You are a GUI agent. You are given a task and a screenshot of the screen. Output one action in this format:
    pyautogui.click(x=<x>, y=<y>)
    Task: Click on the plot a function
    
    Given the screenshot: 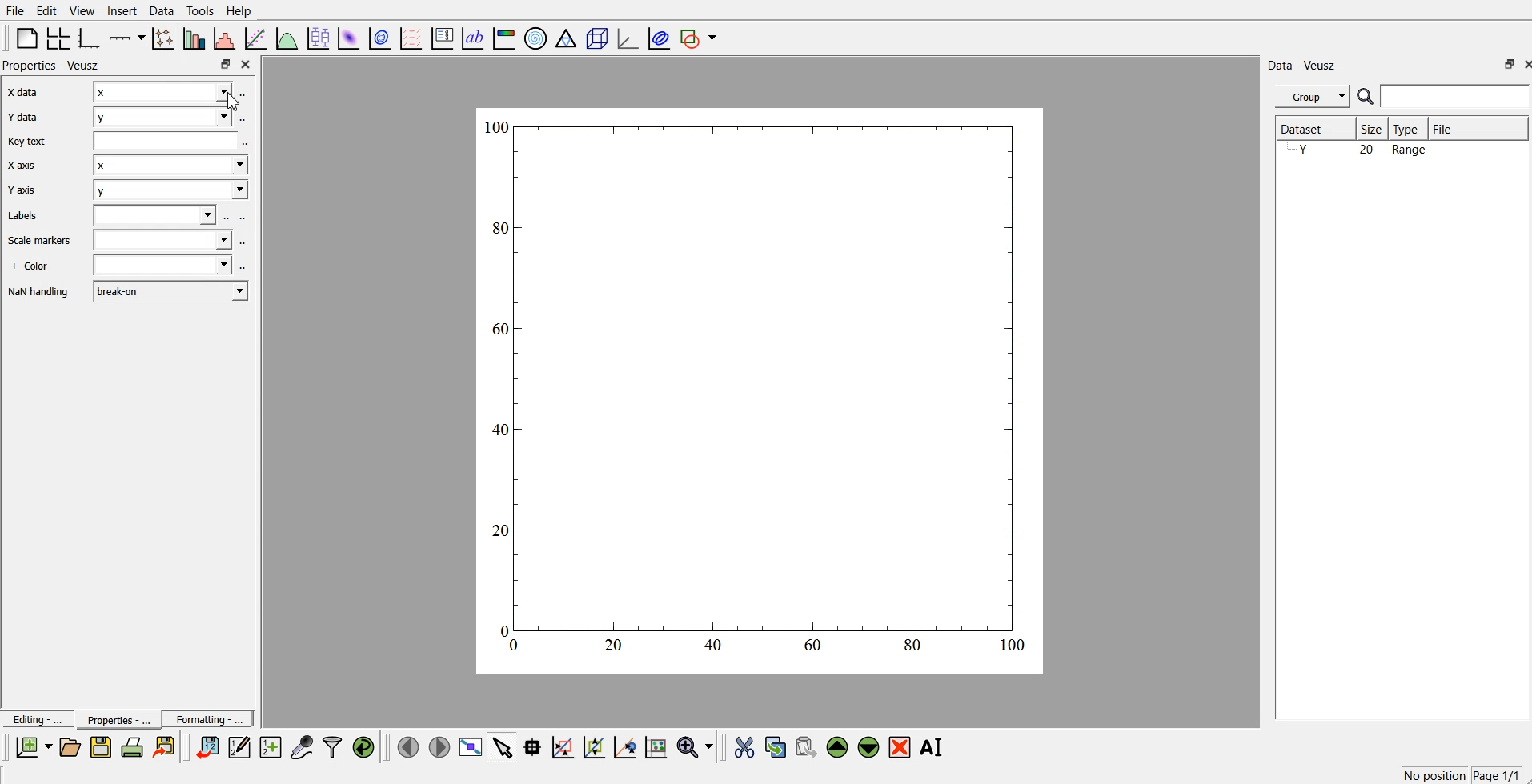 What is the action you would take?
    pyautogui.click(x=287, y=38)
    